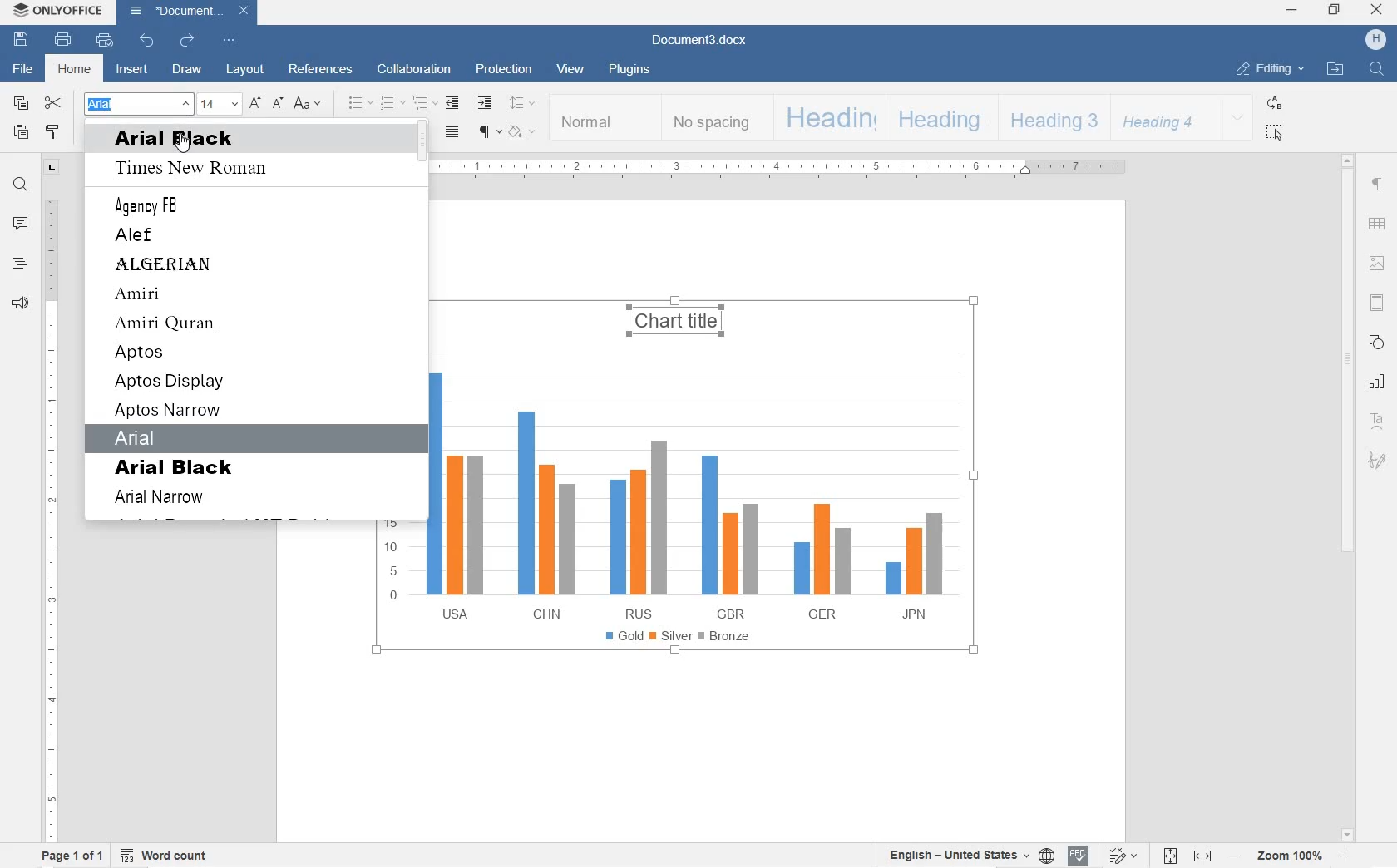  Describe the element at coordinates (1274, 133) in the screenshot. I see `SELECT ALL` at that location.